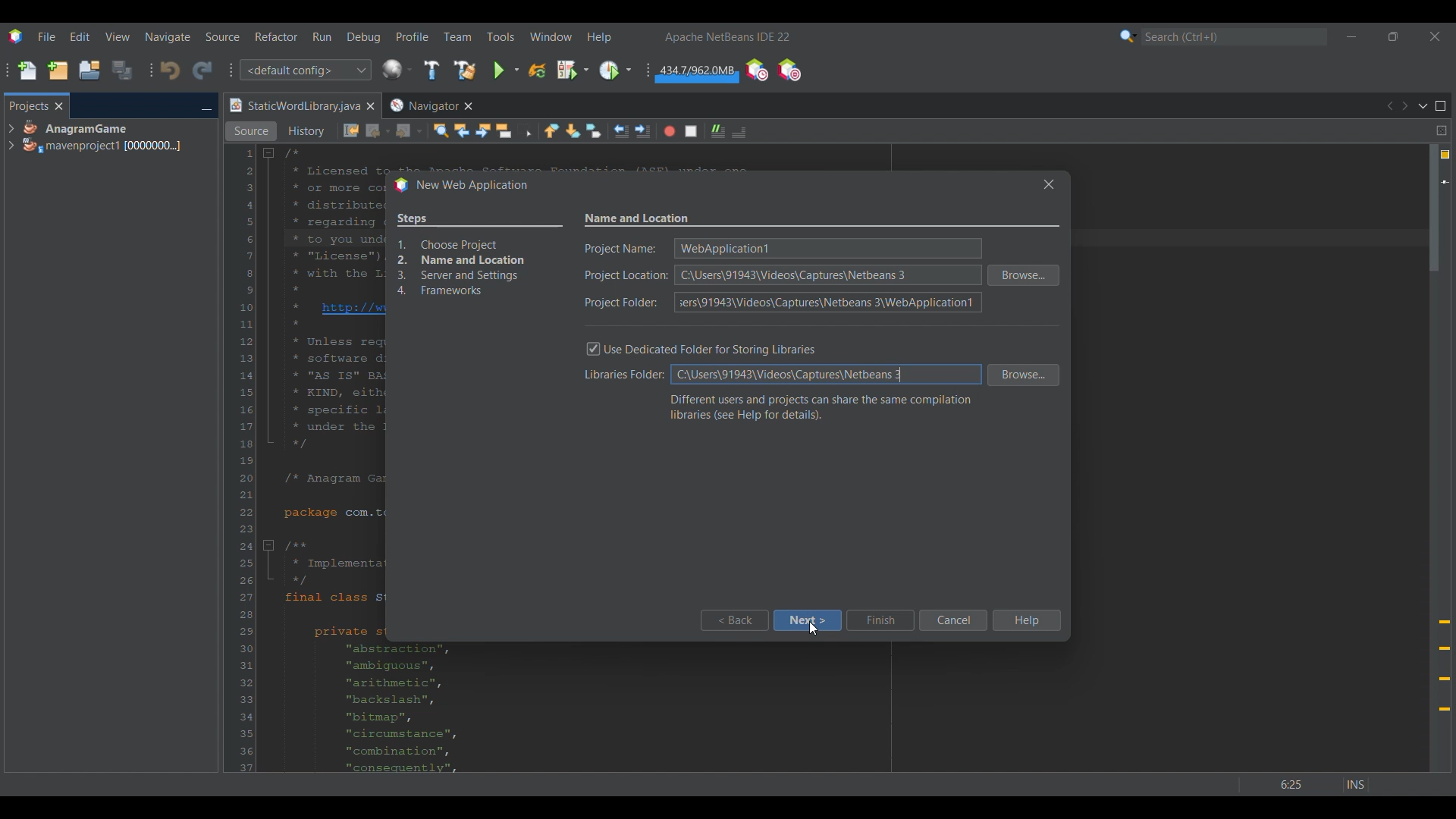 This screenshot has height=819, width=1456. Describe the element at coordinates (551, 36) in the screenshot. I see `Window menu` at that location.